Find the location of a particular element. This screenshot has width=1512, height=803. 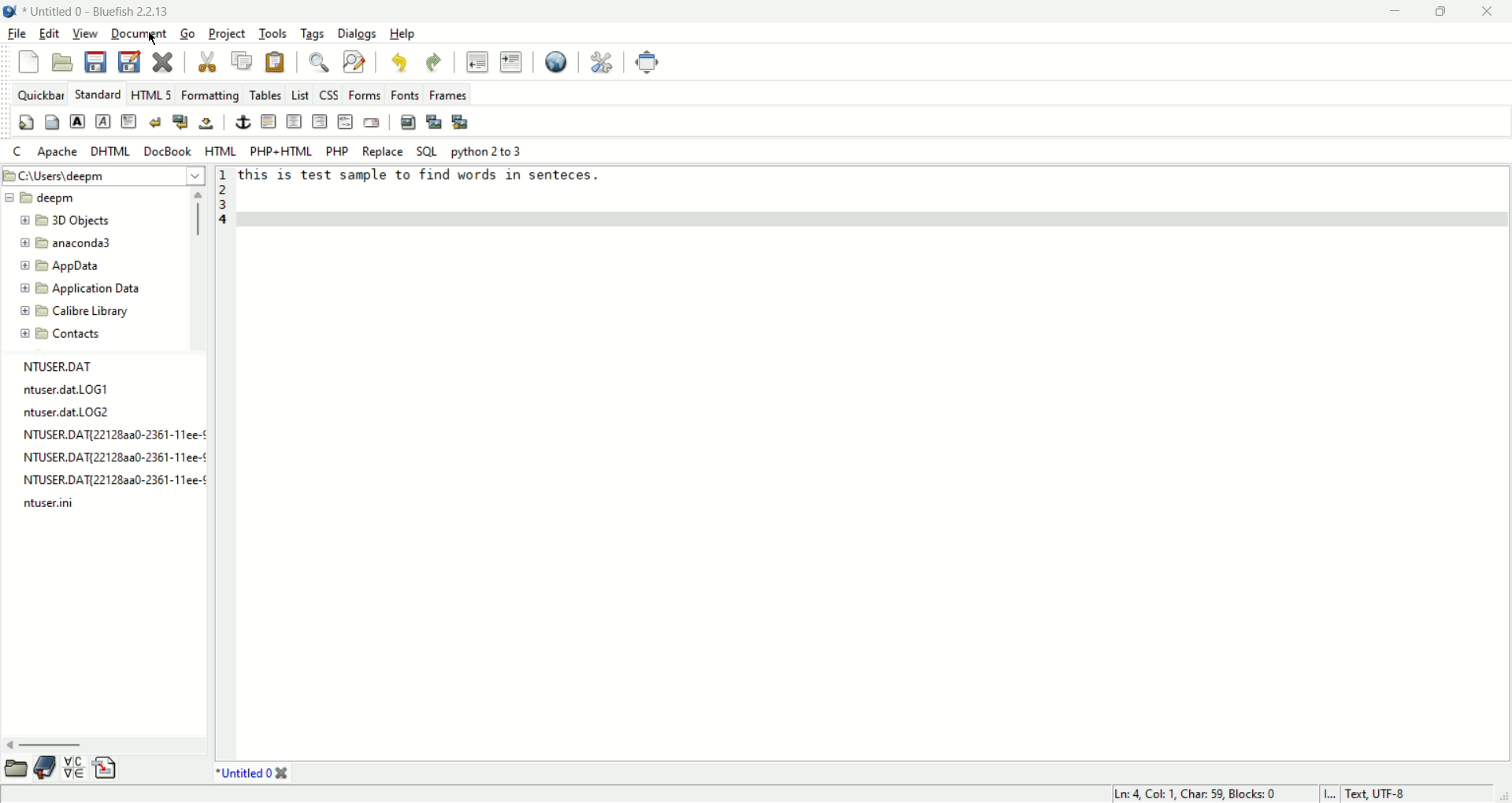

go is located at coordinates (191, 33).